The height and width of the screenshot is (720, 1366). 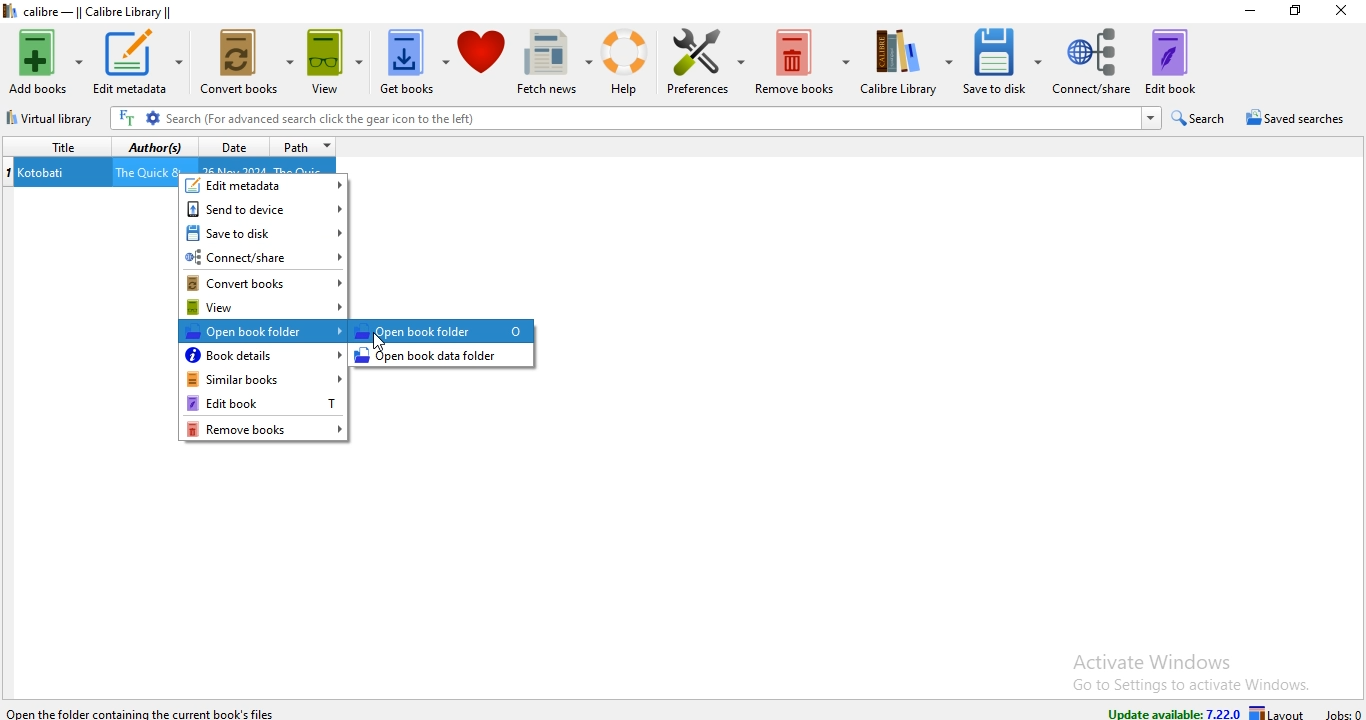 What do you see at coordinates (263, 378) in the screenshot?
I see `similar books` at bounding box center [263, 378].